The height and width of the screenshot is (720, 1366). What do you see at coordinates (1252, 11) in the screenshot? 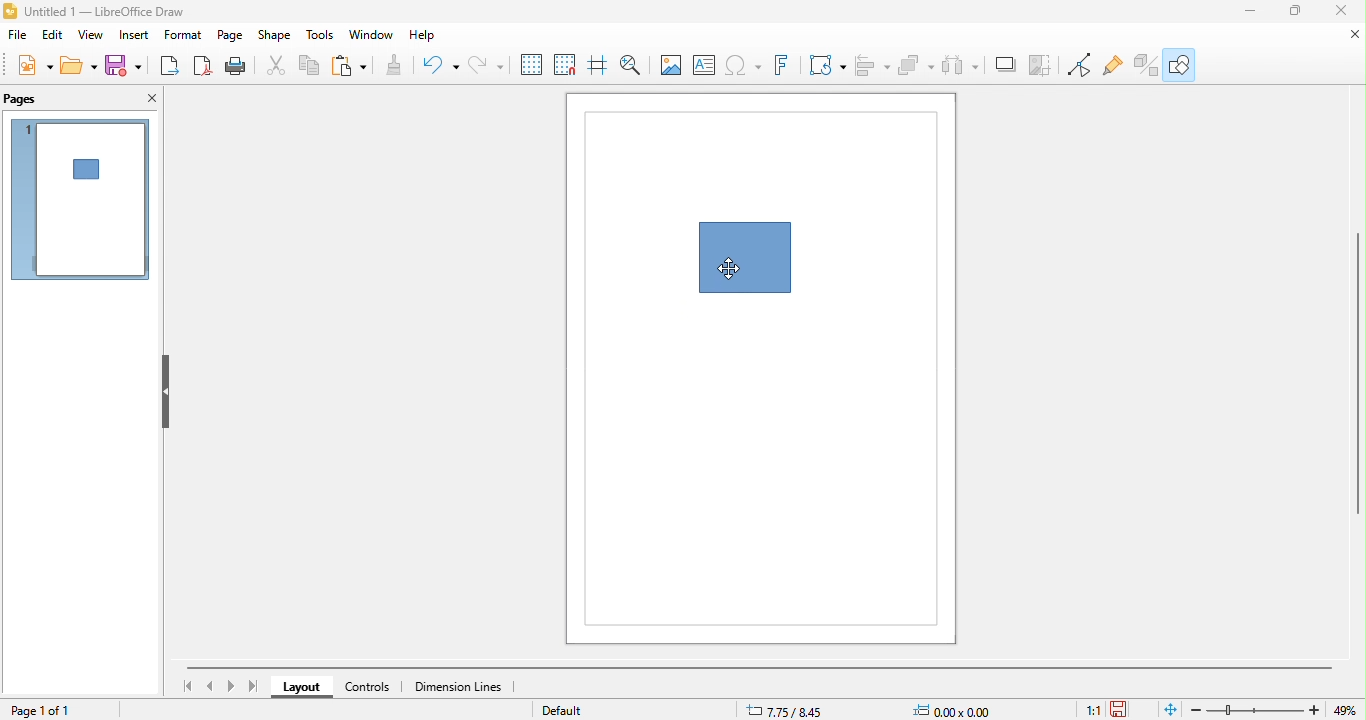
I see `minimize` at bounding box center [1252, 11].